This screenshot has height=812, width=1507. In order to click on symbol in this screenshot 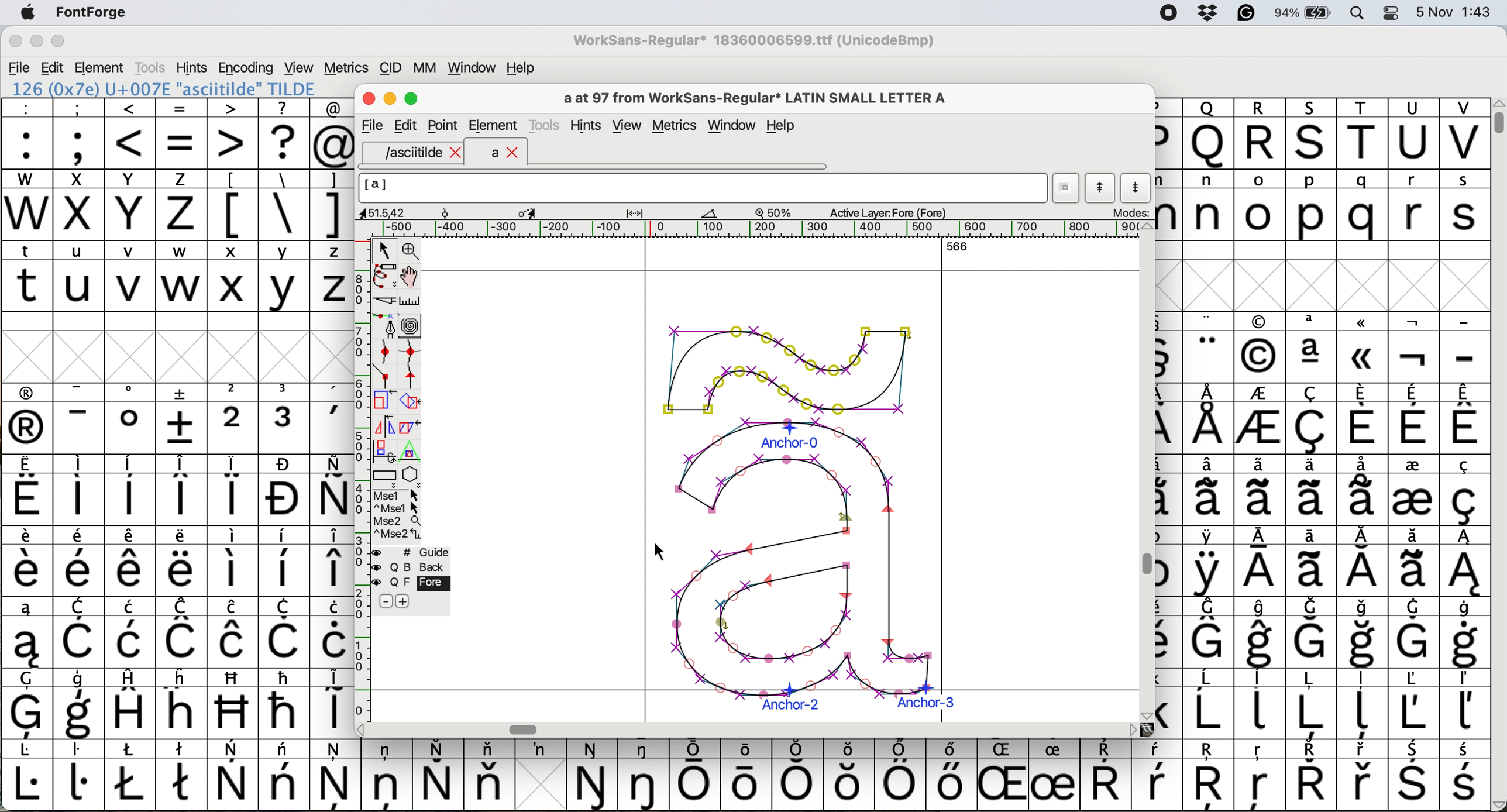, I will do `click(1412, 489)`.